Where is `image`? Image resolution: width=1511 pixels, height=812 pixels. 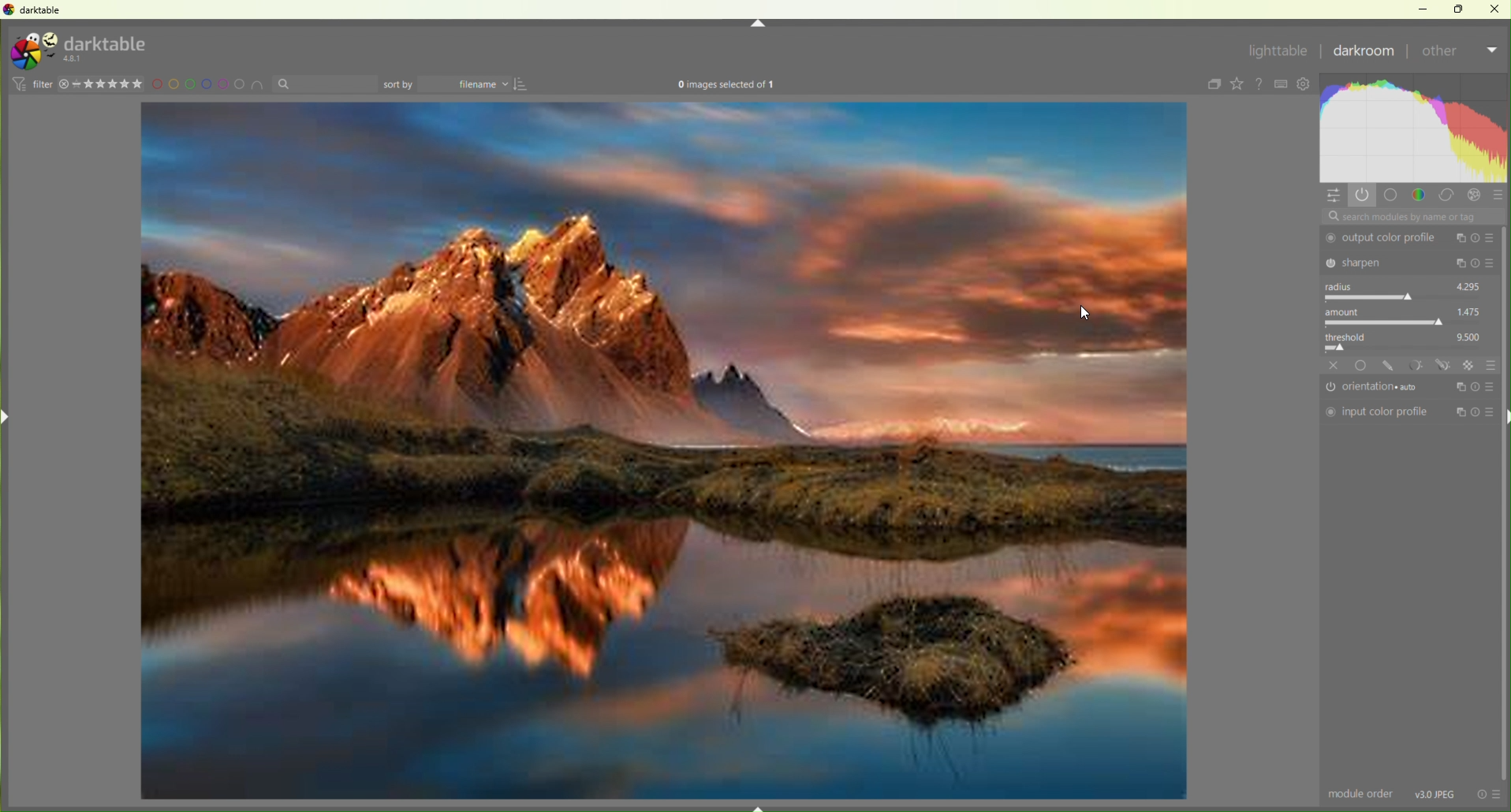 image is located at coordinates (664, 453).